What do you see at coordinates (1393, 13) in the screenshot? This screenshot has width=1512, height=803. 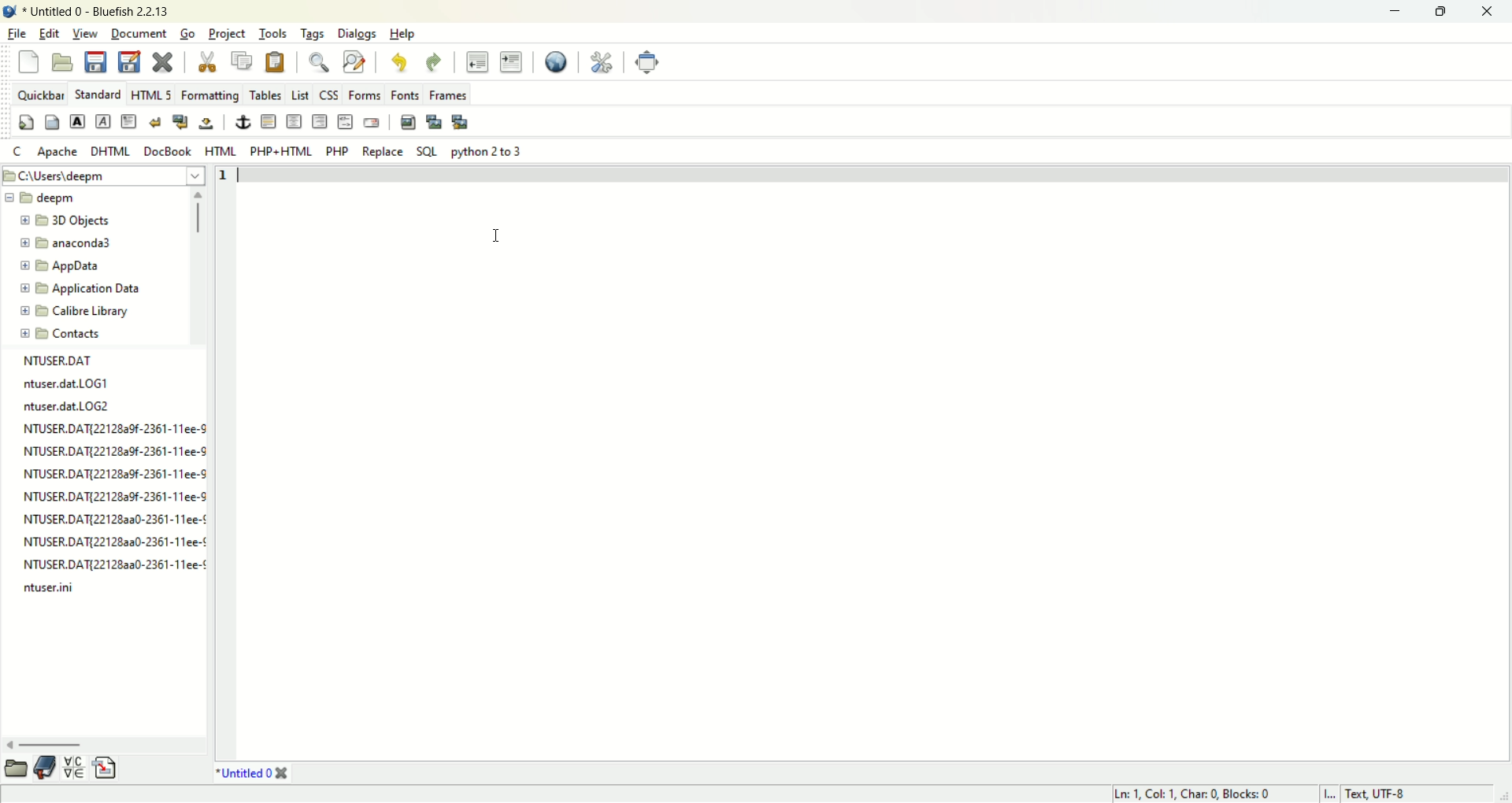 I see `minimize` at bounding box center [1393, 13].